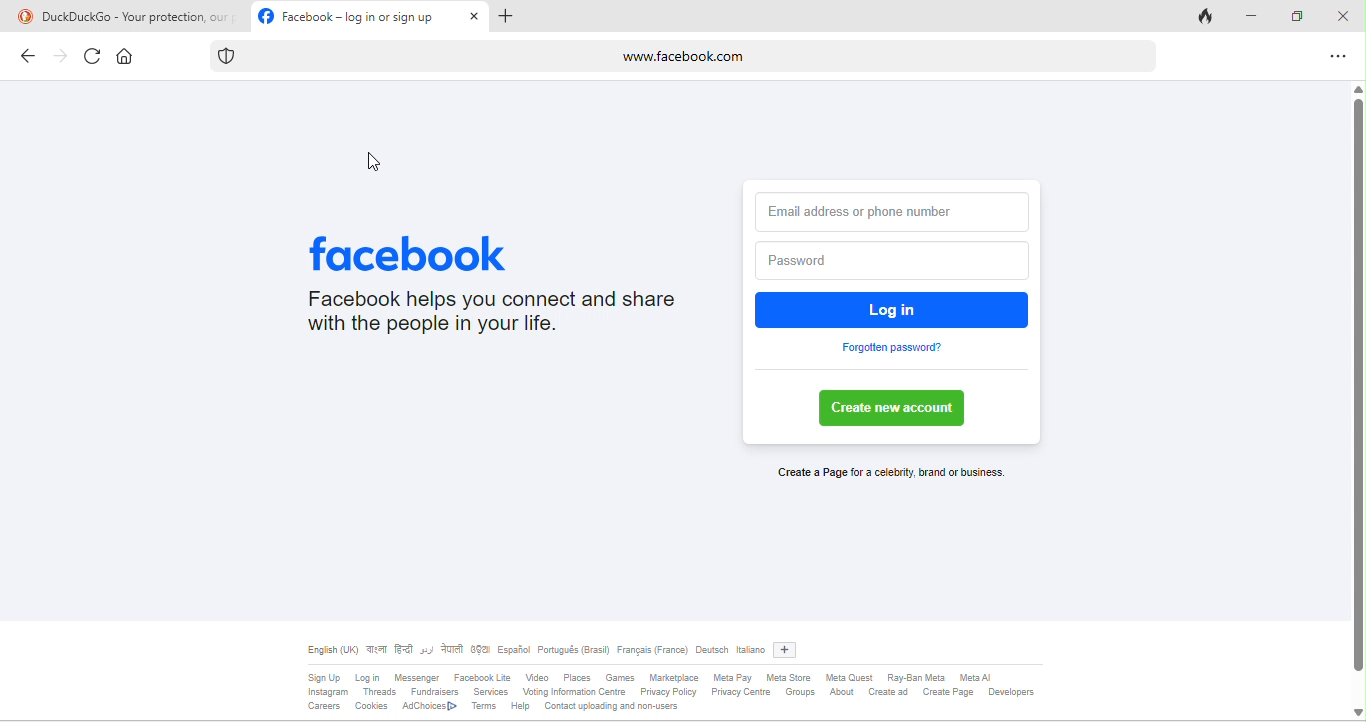 The image size is (1366, 722). I want to click on close tab and clear data, so click(1208, 15).